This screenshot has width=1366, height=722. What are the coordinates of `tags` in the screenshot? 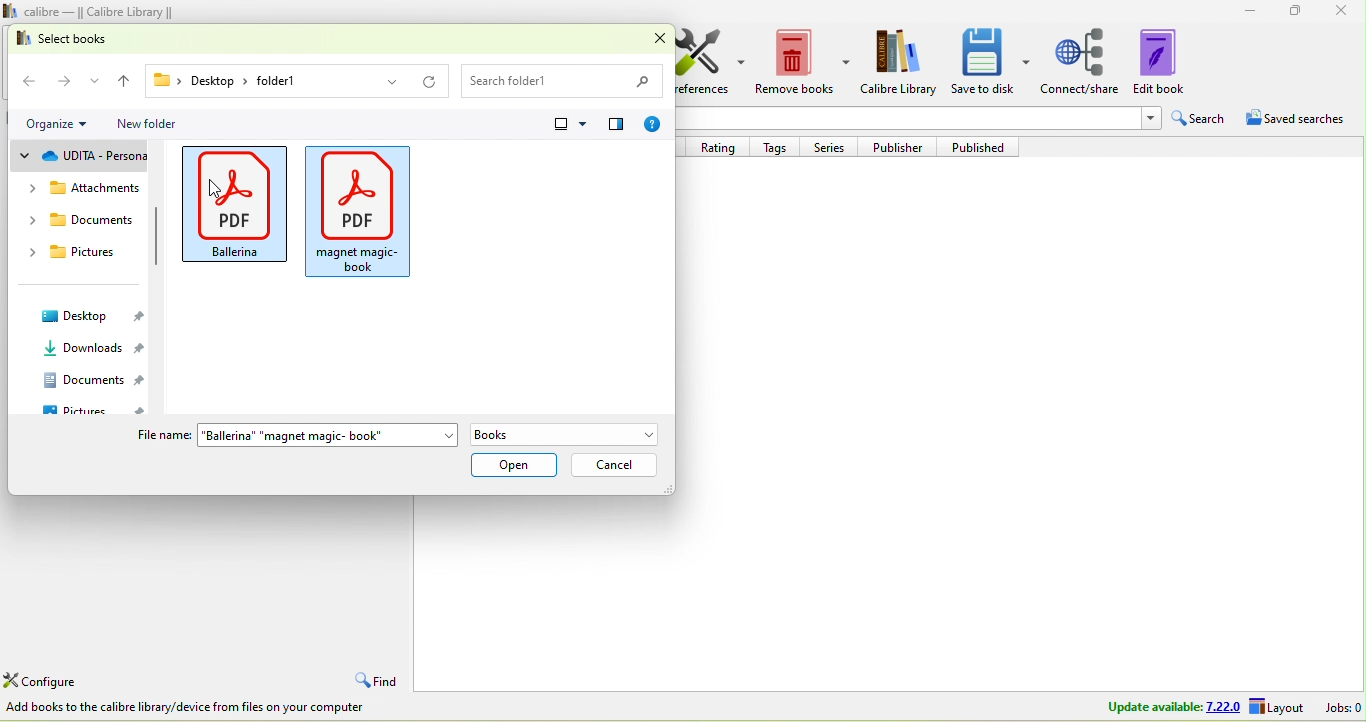 It's located at (781, 147).